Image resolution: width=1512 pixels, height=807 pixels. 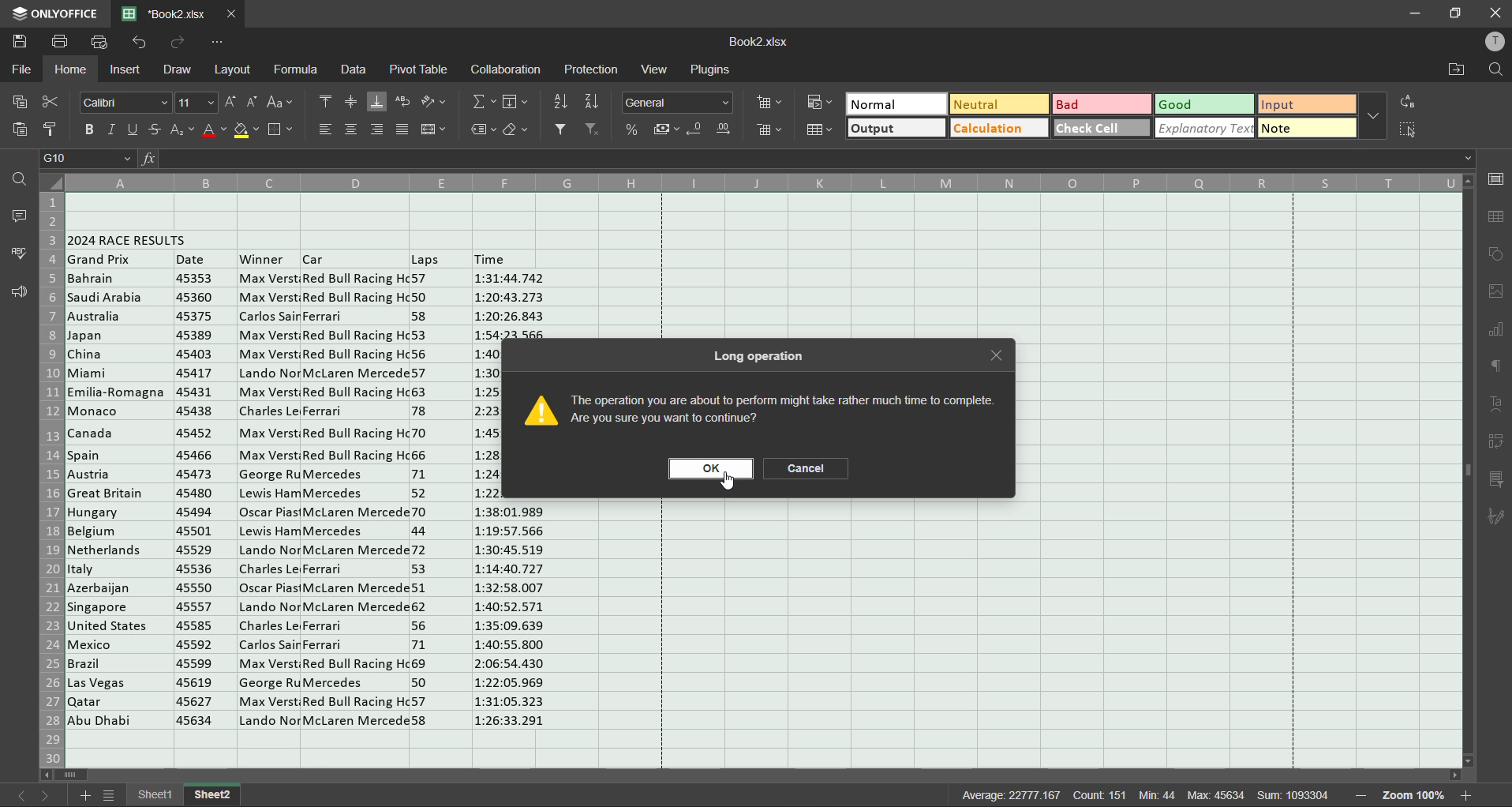 What do you see at coordinates (896, 129) in the screenshot?
I see `output` at bounding box center [896, 129].